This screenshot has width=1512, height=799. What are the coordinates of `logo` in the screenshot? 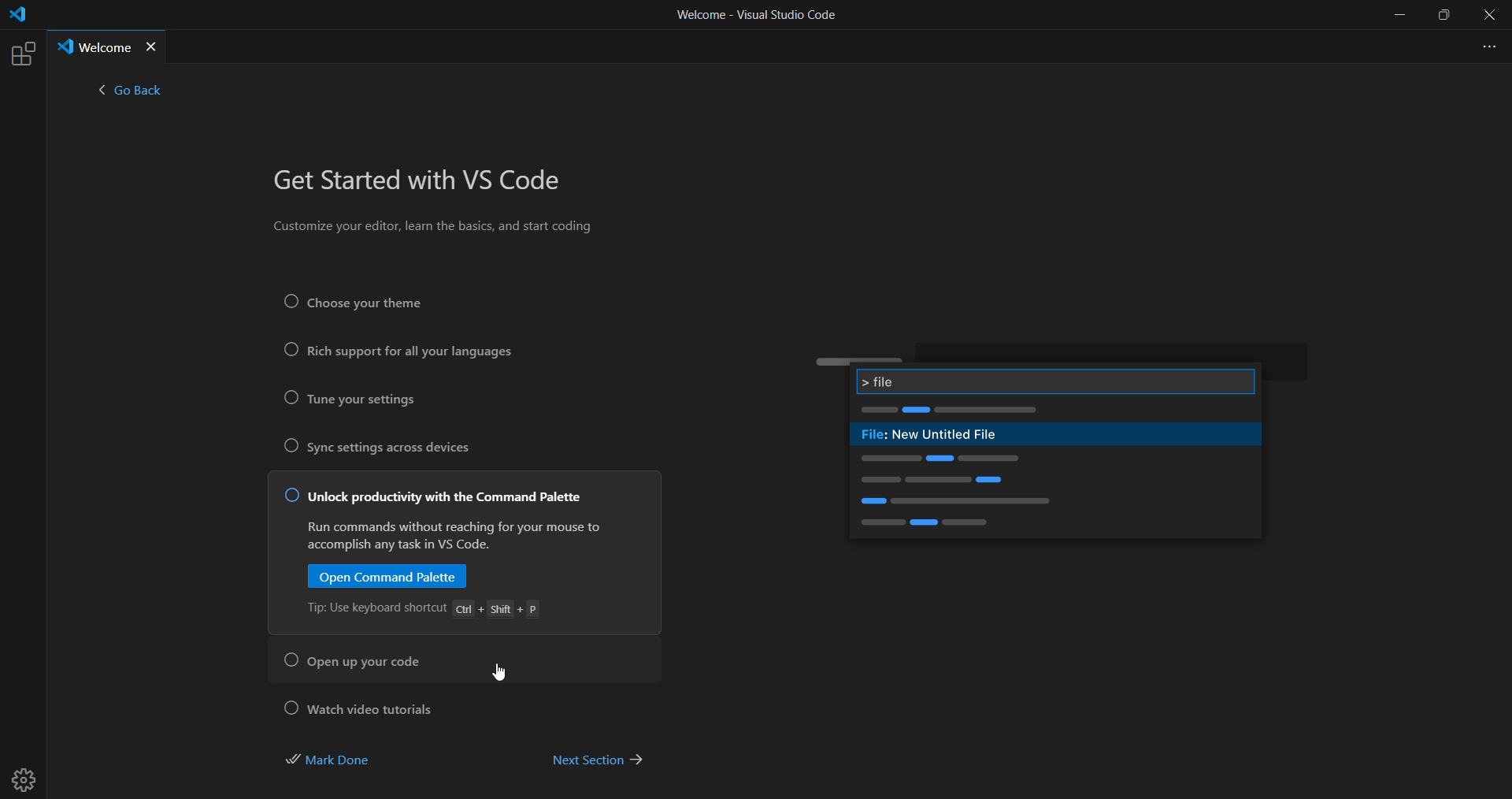 It's located at (17, 17).